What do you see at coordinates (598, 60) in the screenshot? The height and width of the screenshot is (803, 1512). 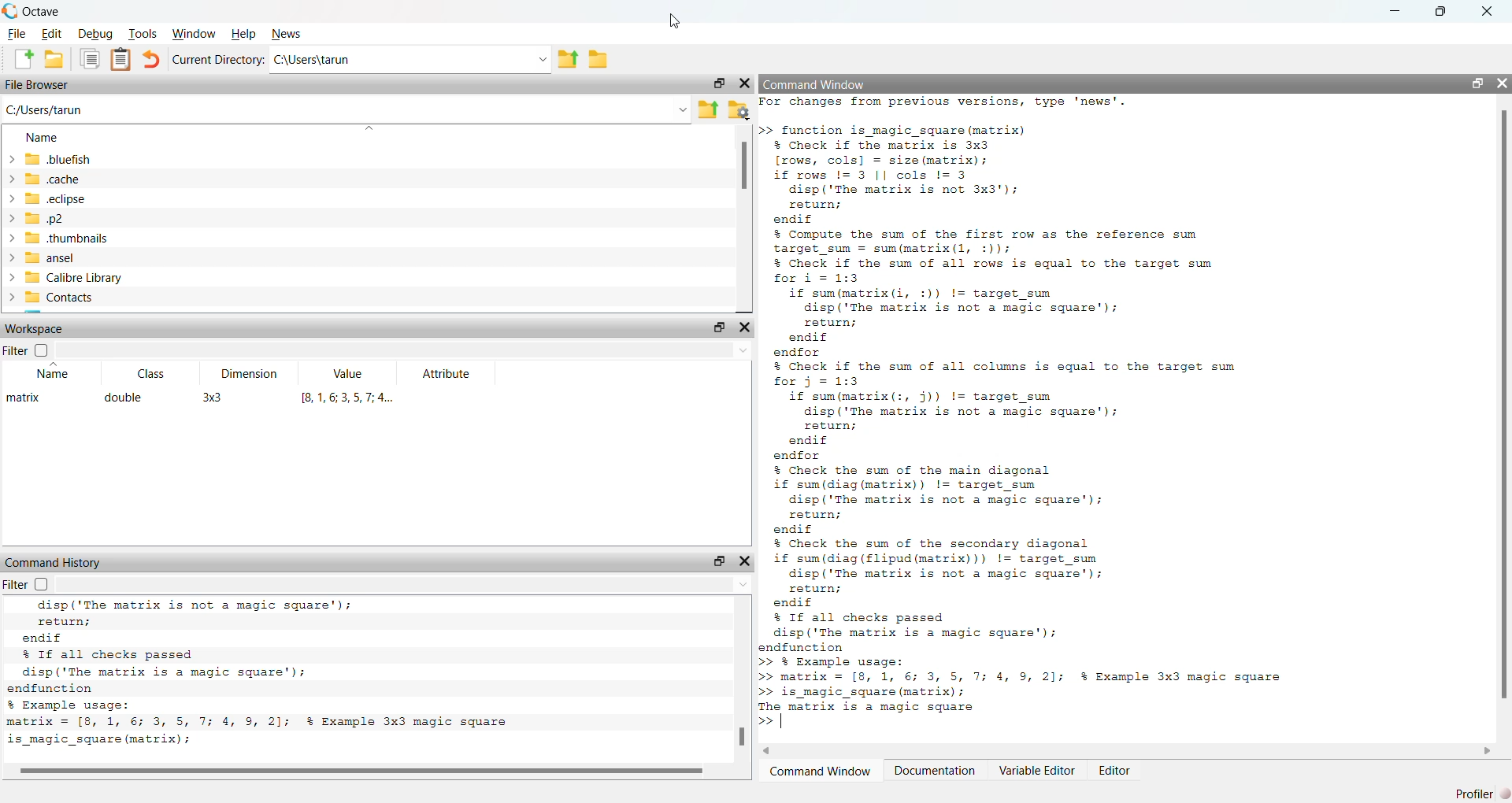 I see `Folder` at bounding box center [598, 60].